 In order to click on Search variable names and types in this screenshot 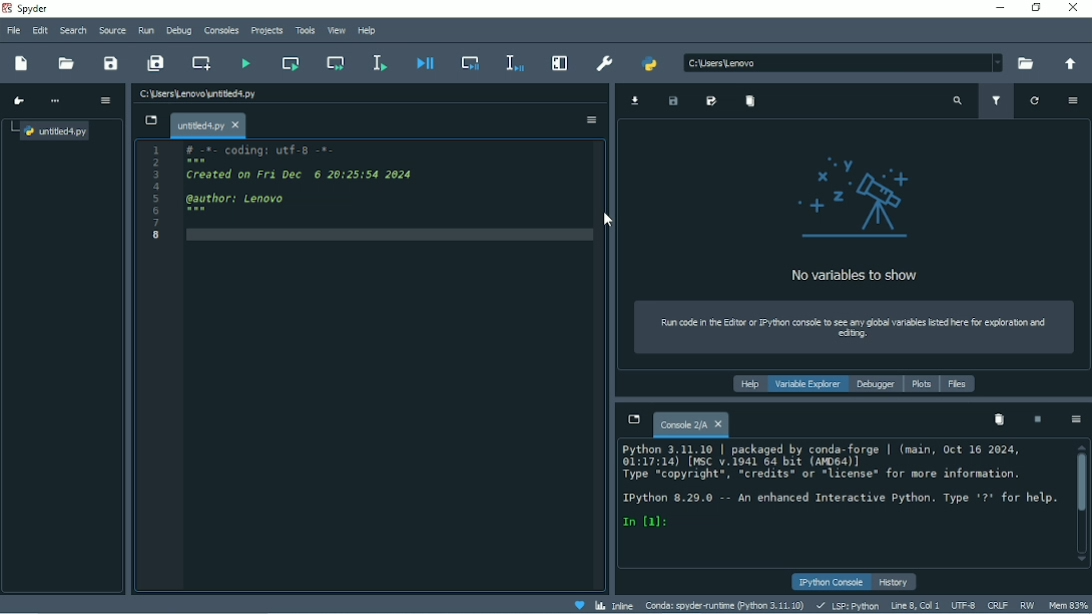, I will do `click(957, 101)`.